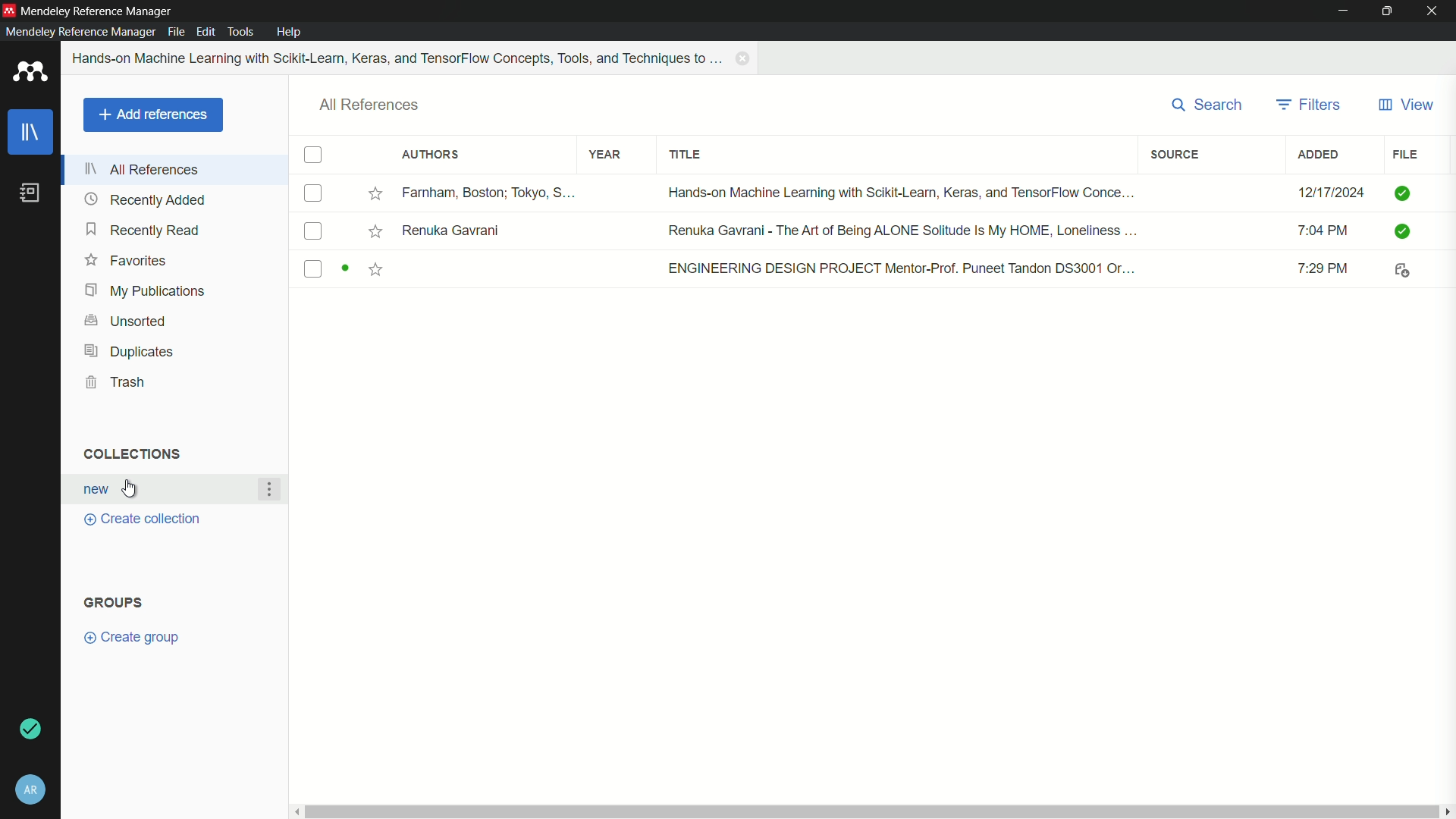 This screenshot has width=1456, height=819. I want to click on recently read, so click(145, 229).